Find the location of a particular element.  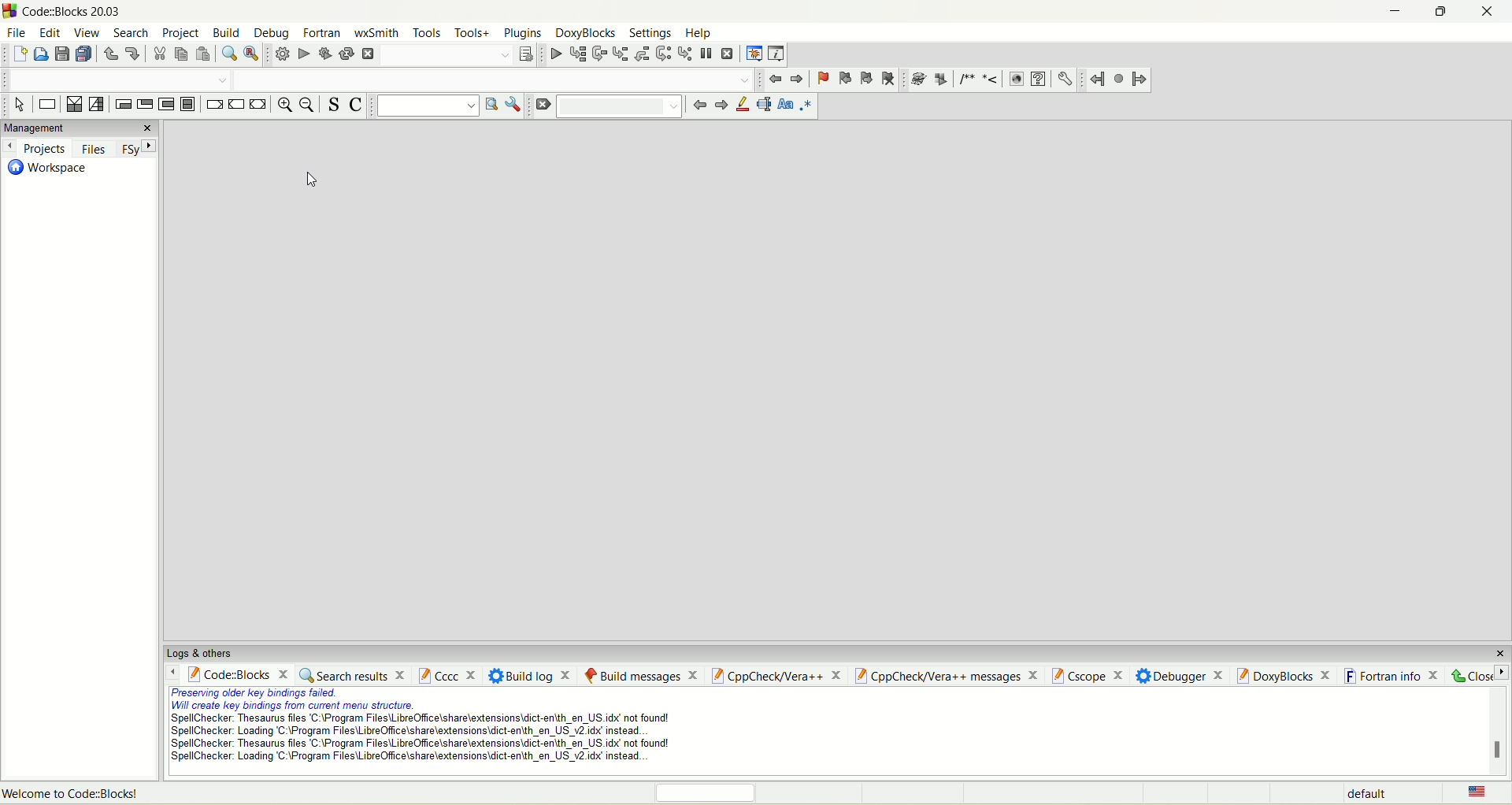

various info is located at coordinates (774, 54).